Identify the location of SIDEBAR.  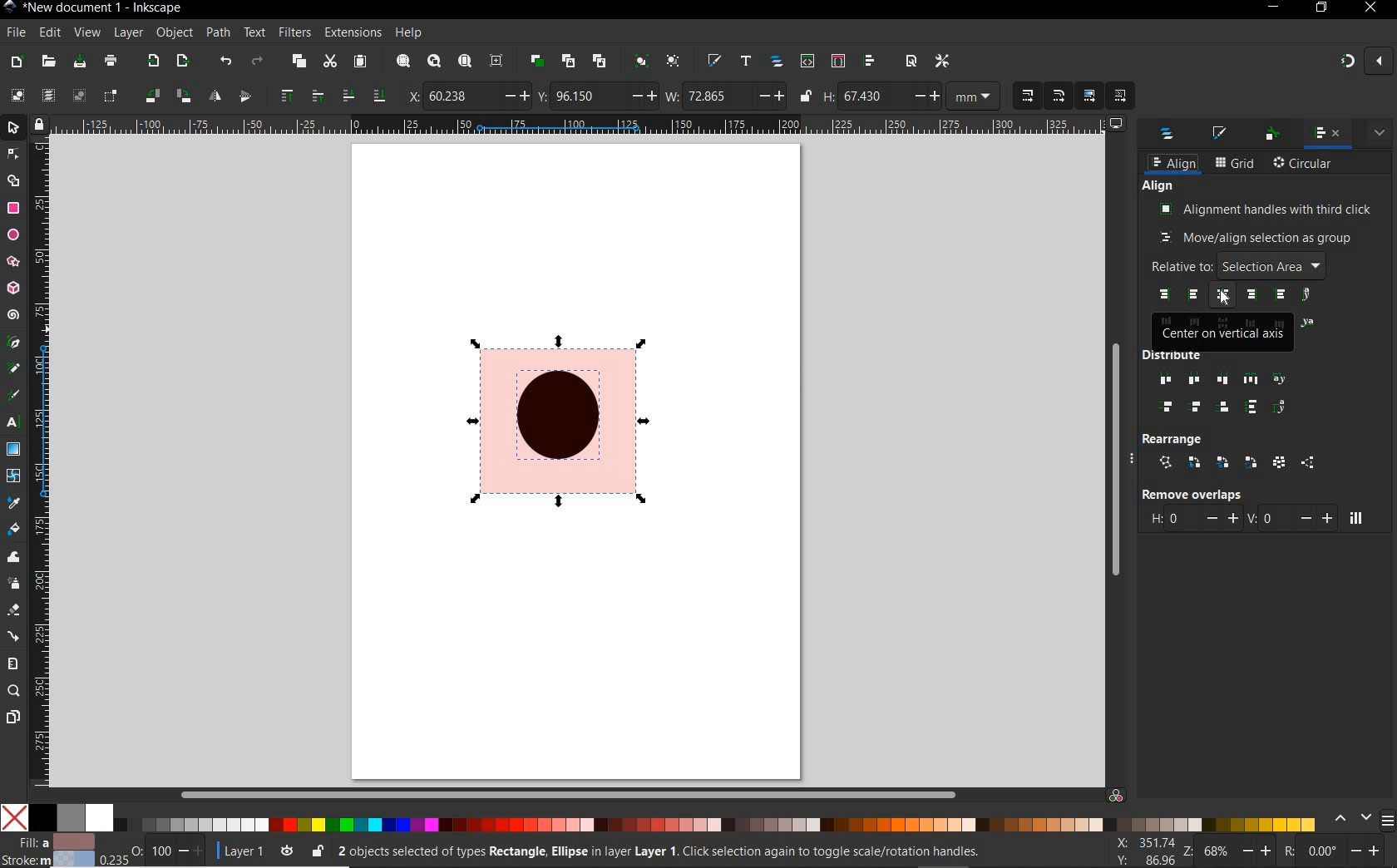
(1389, 821).